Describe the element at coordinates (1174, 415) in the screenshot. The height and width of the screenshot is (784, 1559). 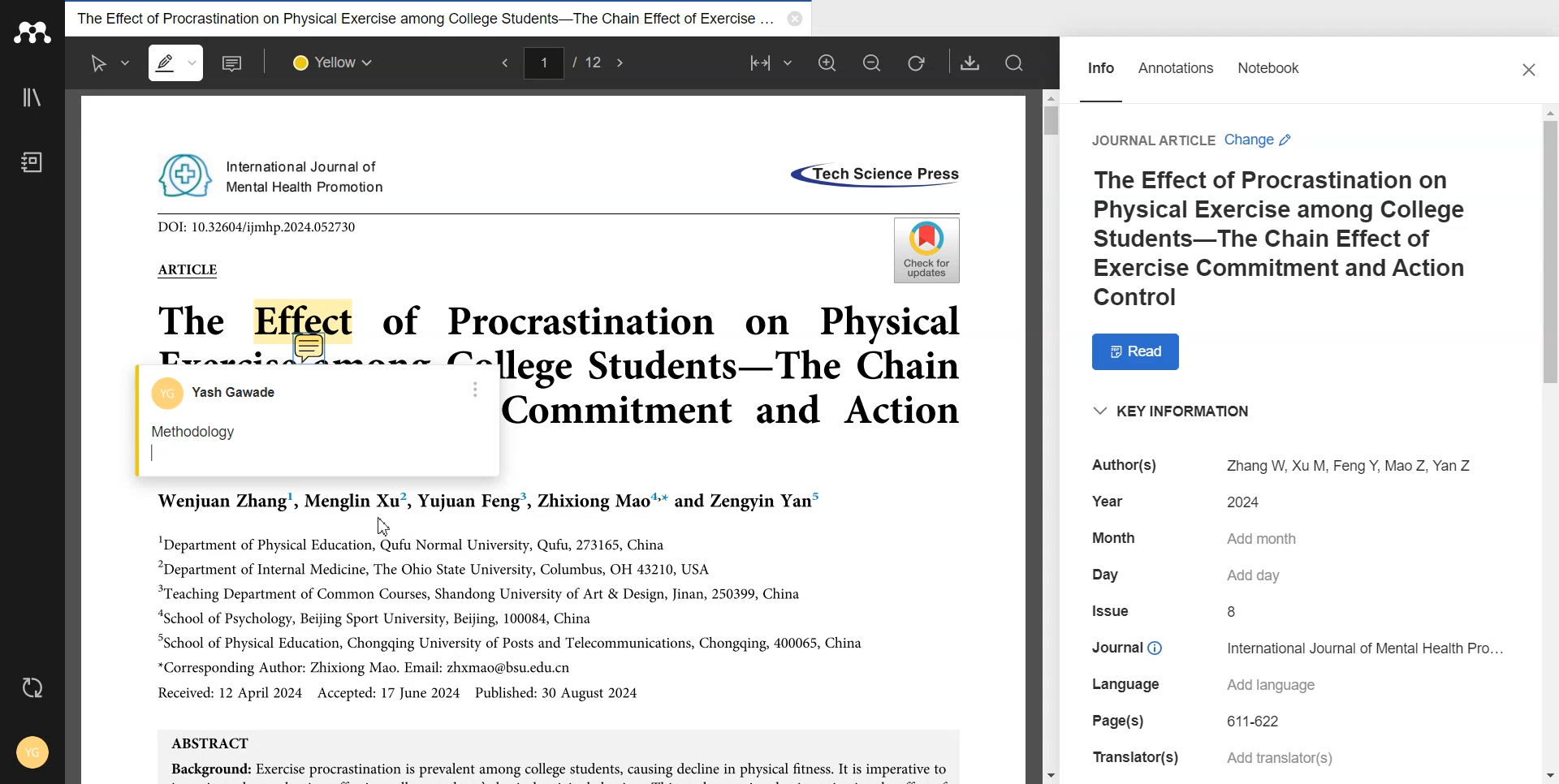
I see `“KEY INFORMATION` at that location.